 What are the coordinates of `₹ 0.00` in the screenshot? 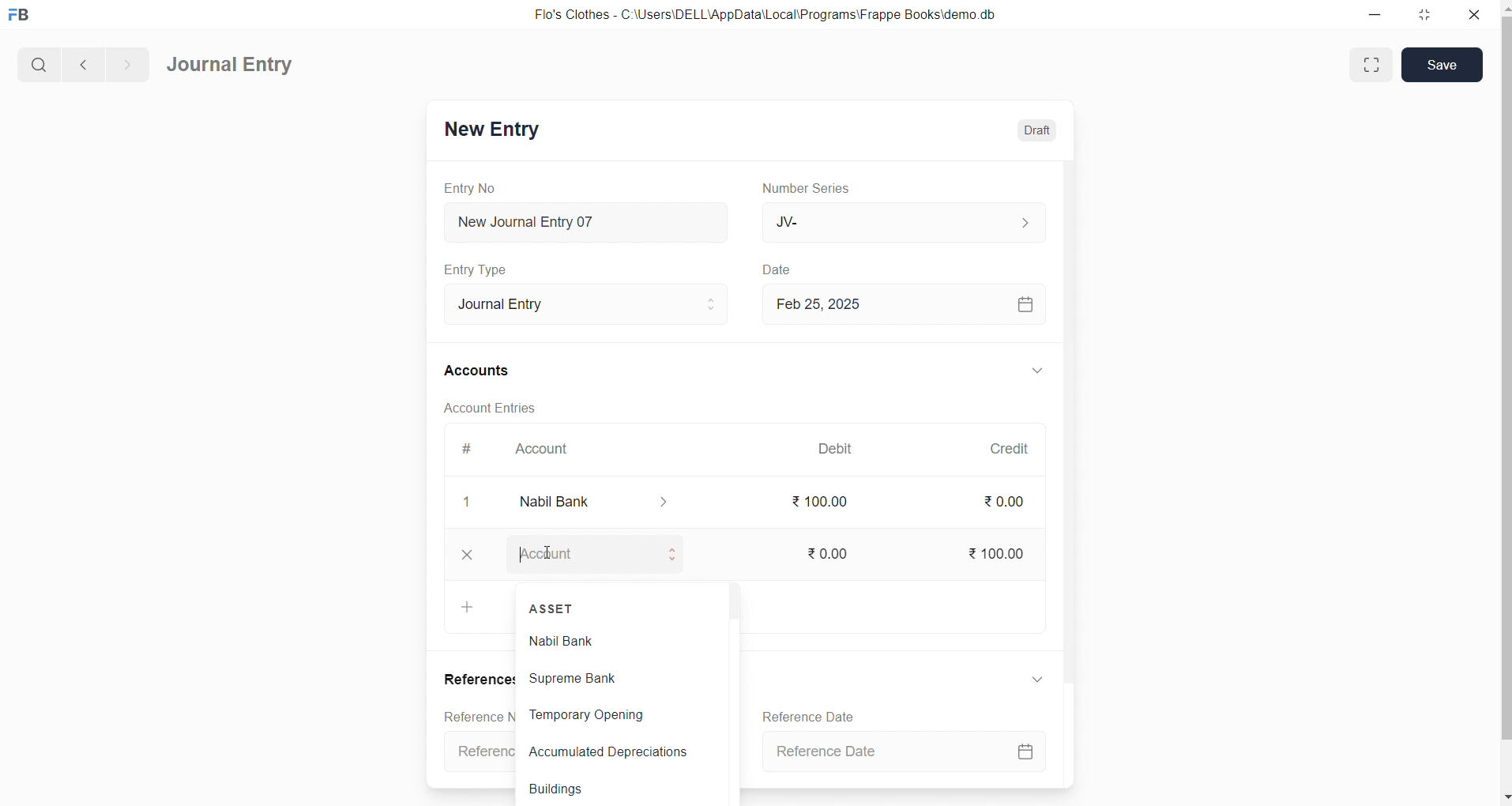 It's located at (832, 551).